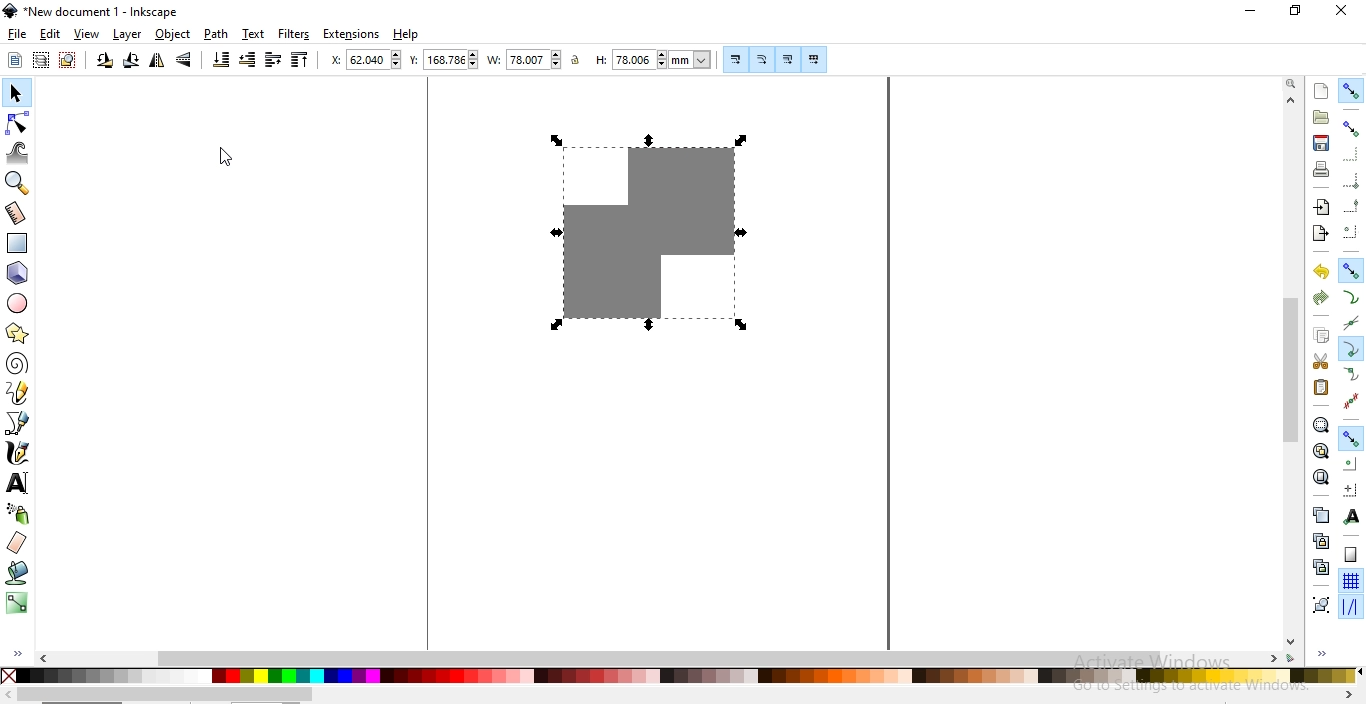  I want to click on create spiral, so click(16, 362).